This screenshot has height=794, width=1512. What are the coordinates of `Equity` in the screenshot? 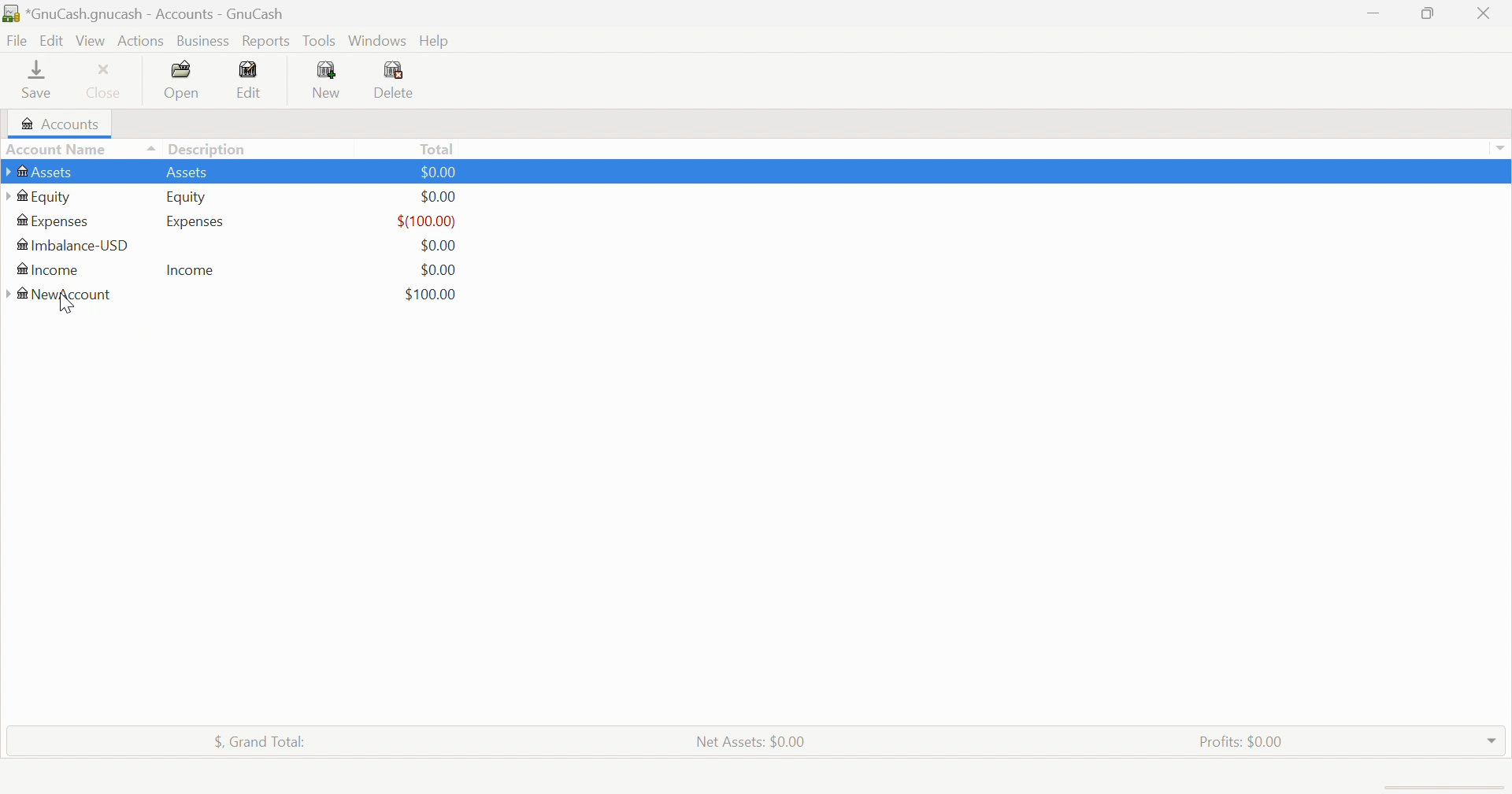 It's located at (186, 198).